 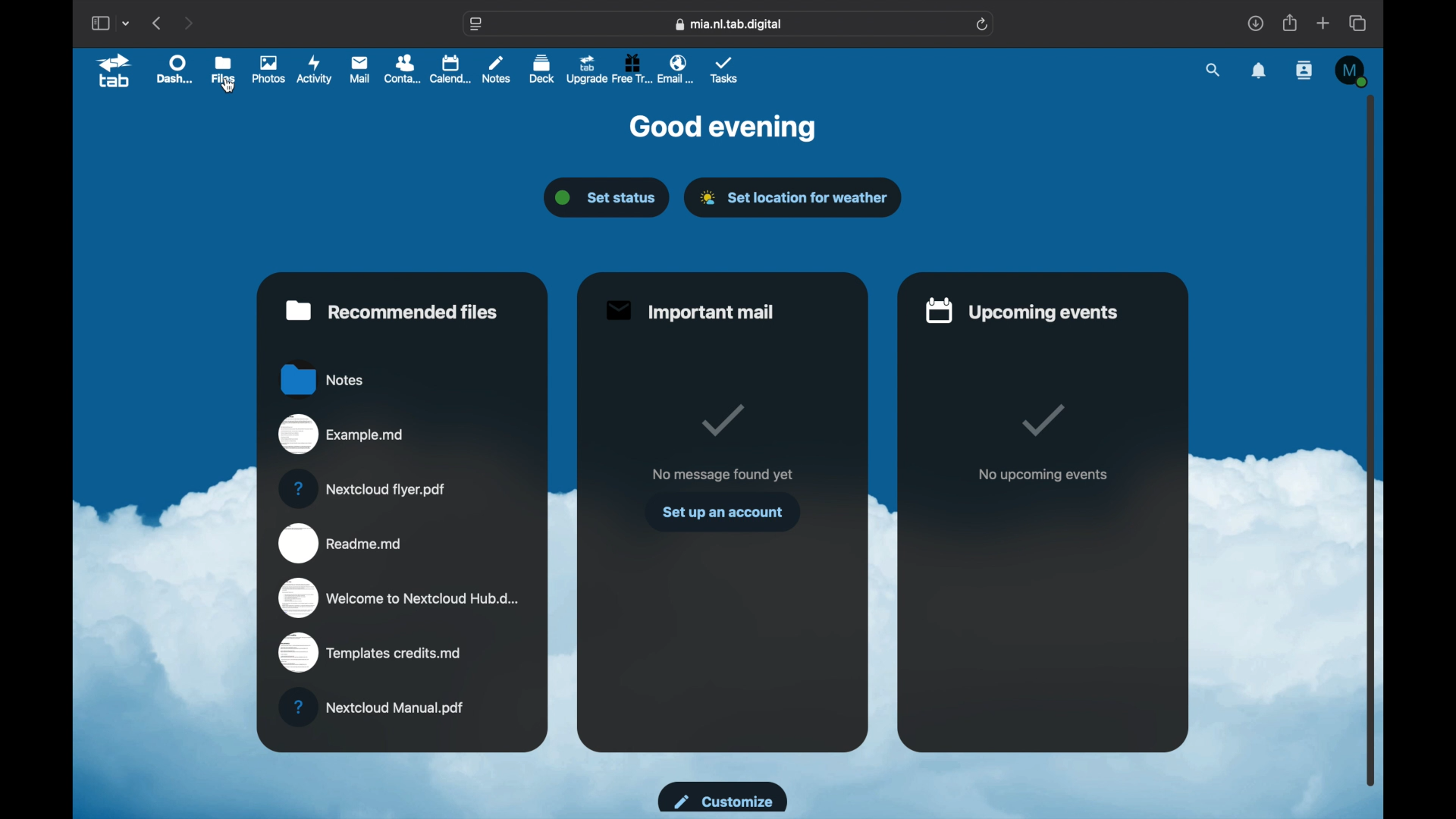 I want to click on show tab overview, so click(x=1359, y=23).